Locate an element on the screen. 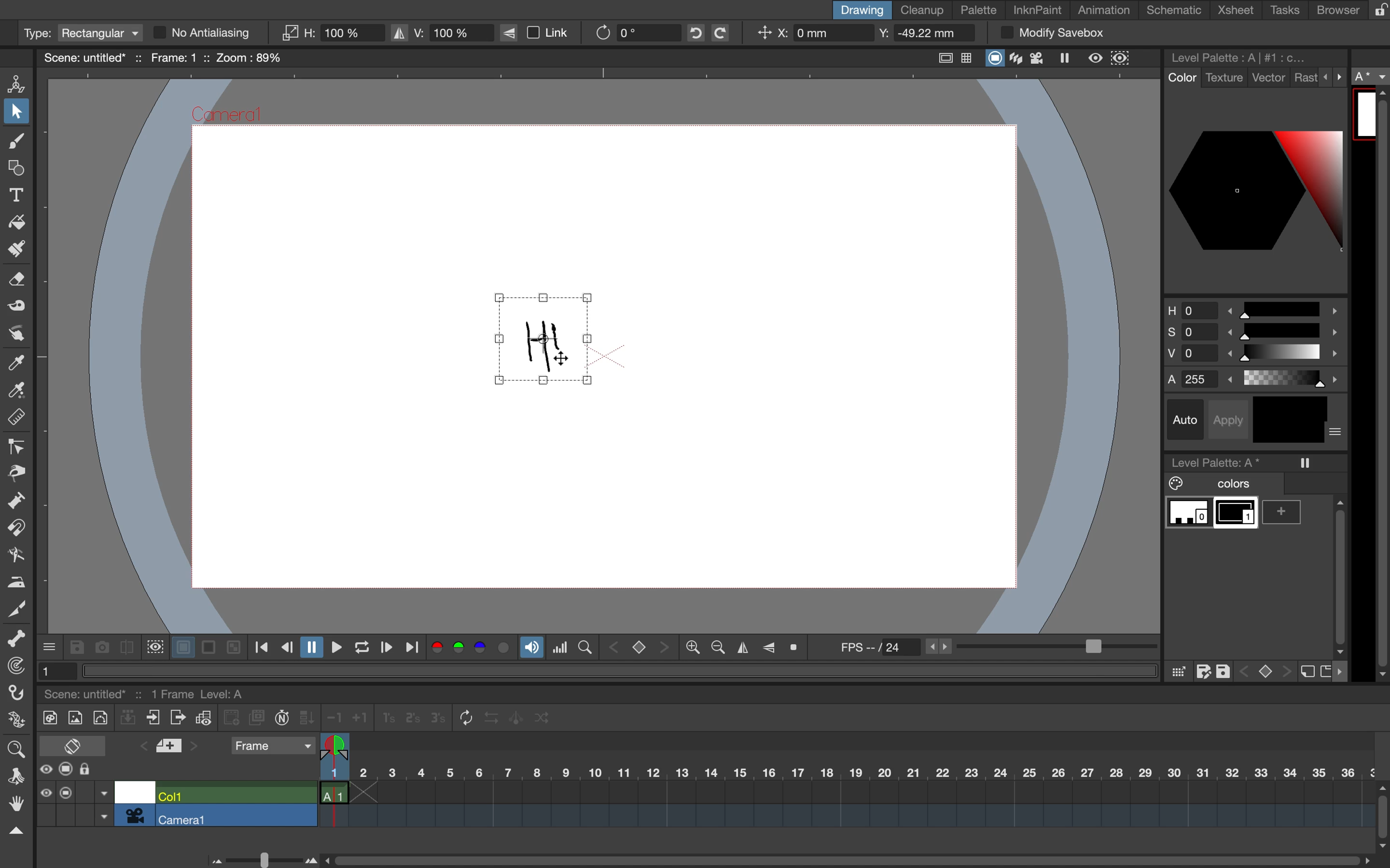  animate tool is located at coordinates (20, 83).